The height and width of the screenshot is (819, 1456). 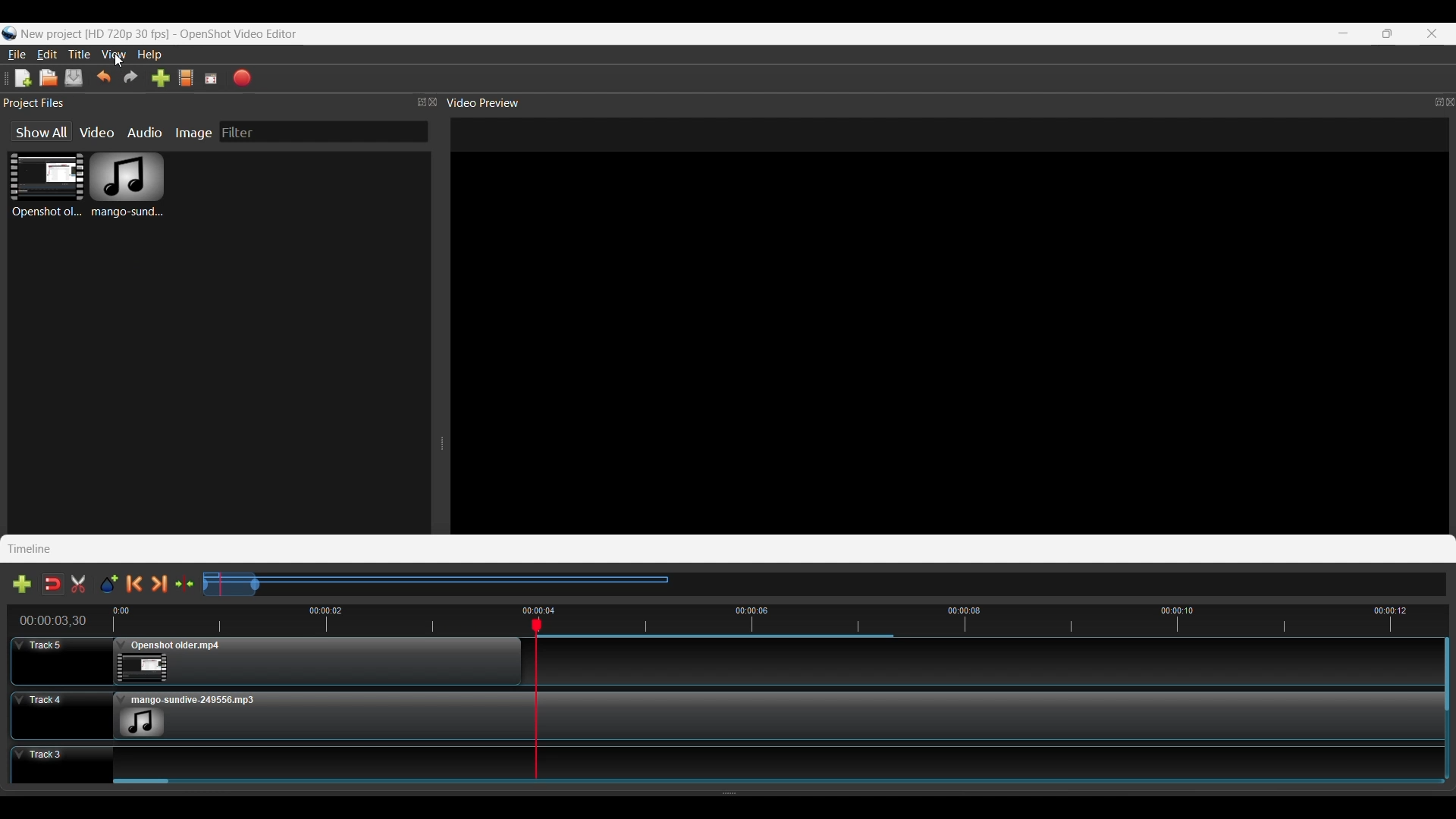 What do you see at coordinates (22, 584) in the screenshot?
I see `Add Track` at bounding box center [22, 584].